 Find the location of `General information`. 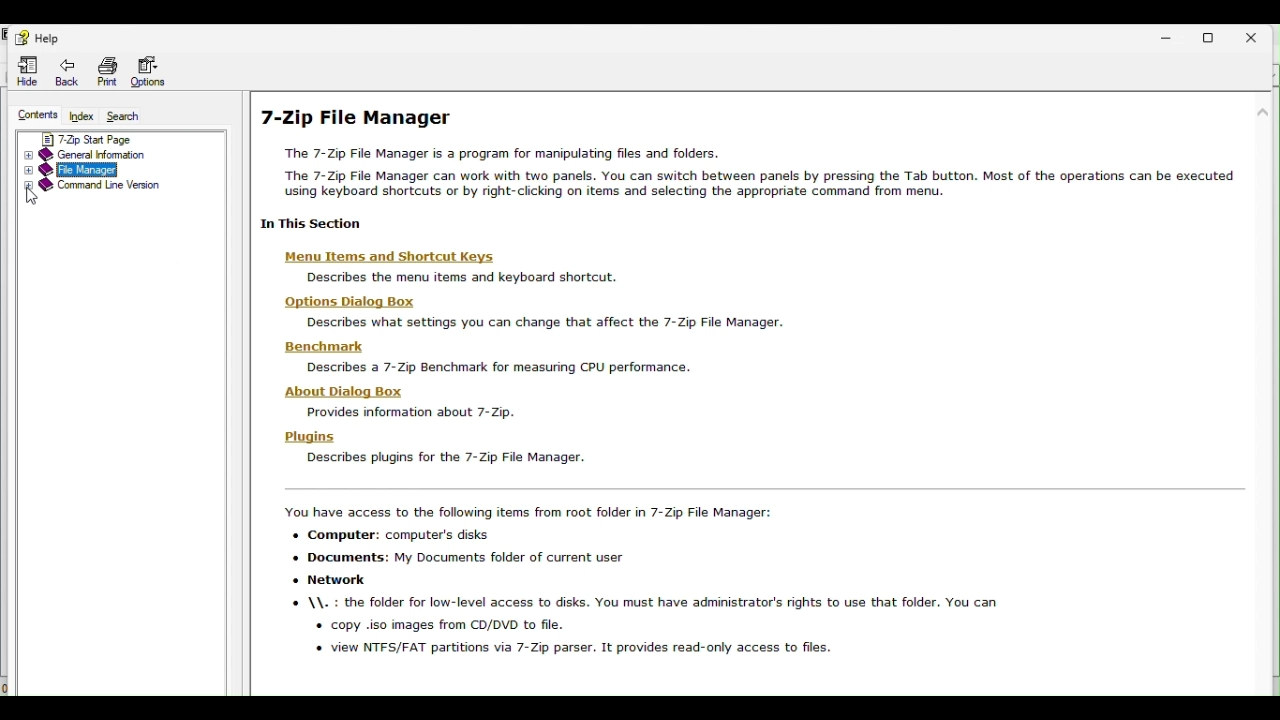

General information is located at coordinates (100, 155).